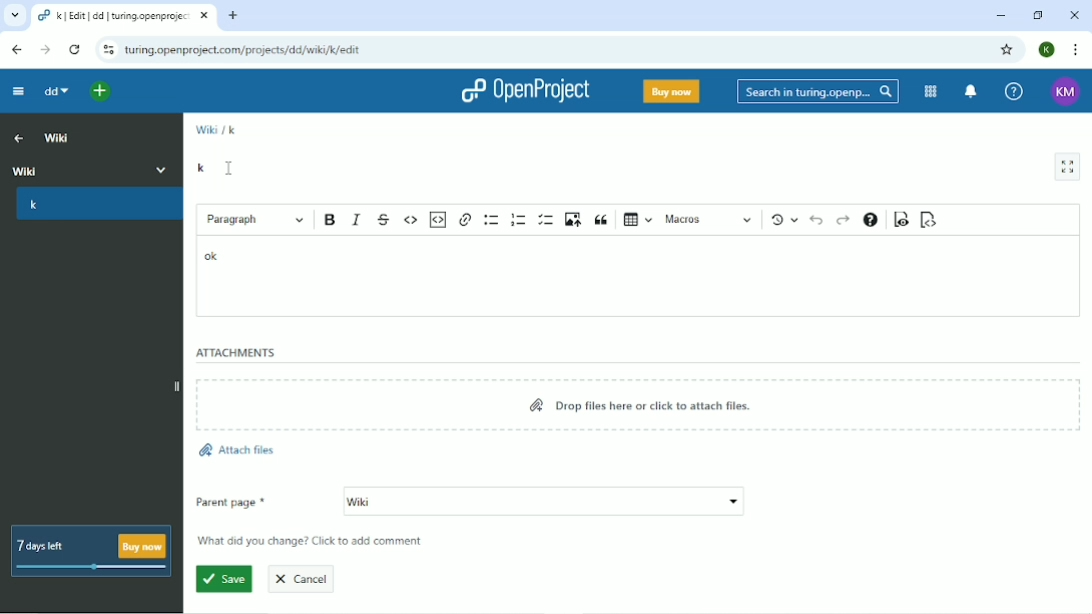 The image size is (1092, 614). What do you see at coordinates (255, 220) in the screenshot?
I see `Paragraph` at bounding box center [255, 220].